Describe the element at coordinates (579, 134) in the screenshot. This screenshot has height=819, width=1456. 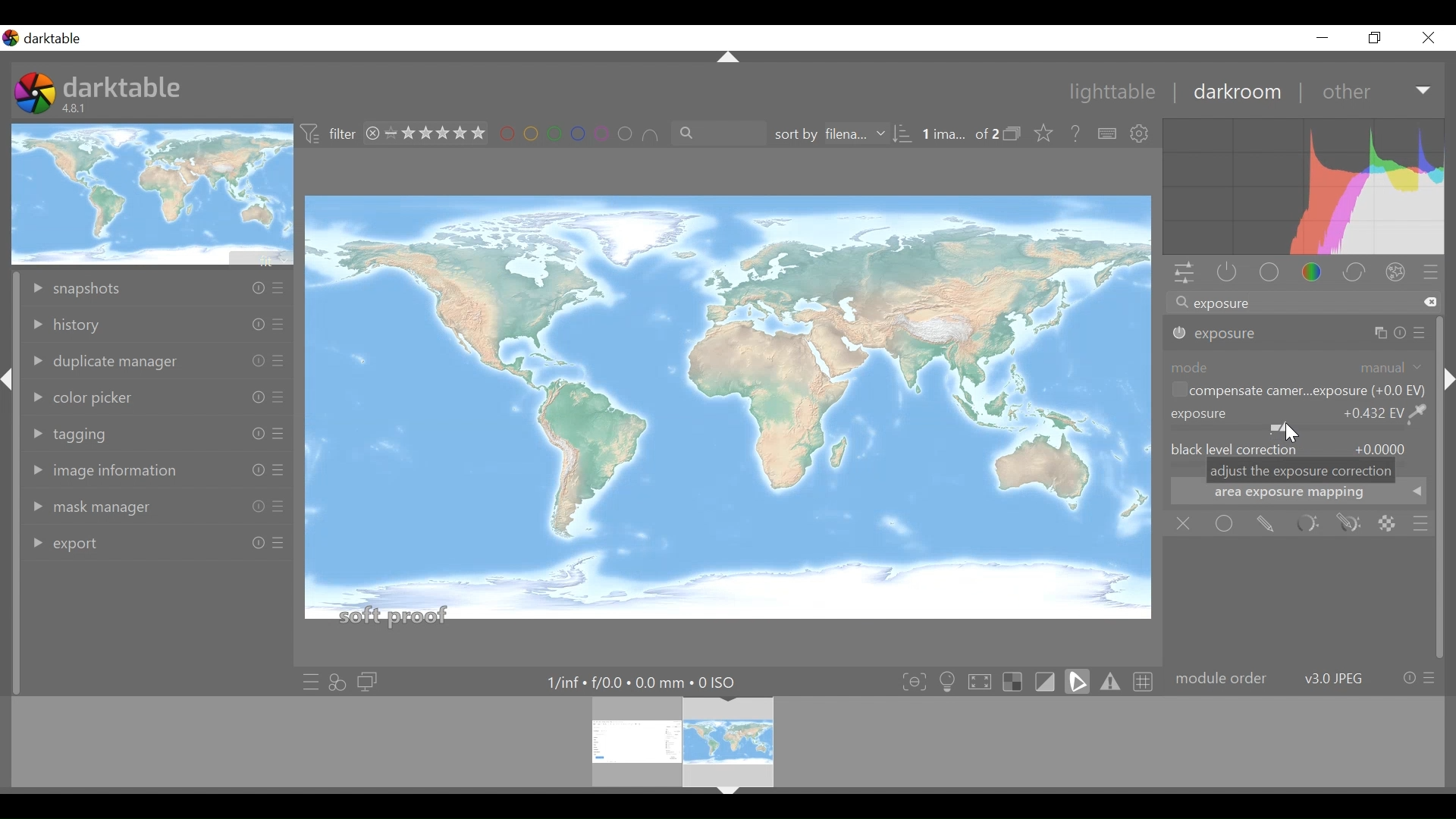
I see `set color labels` at that location.